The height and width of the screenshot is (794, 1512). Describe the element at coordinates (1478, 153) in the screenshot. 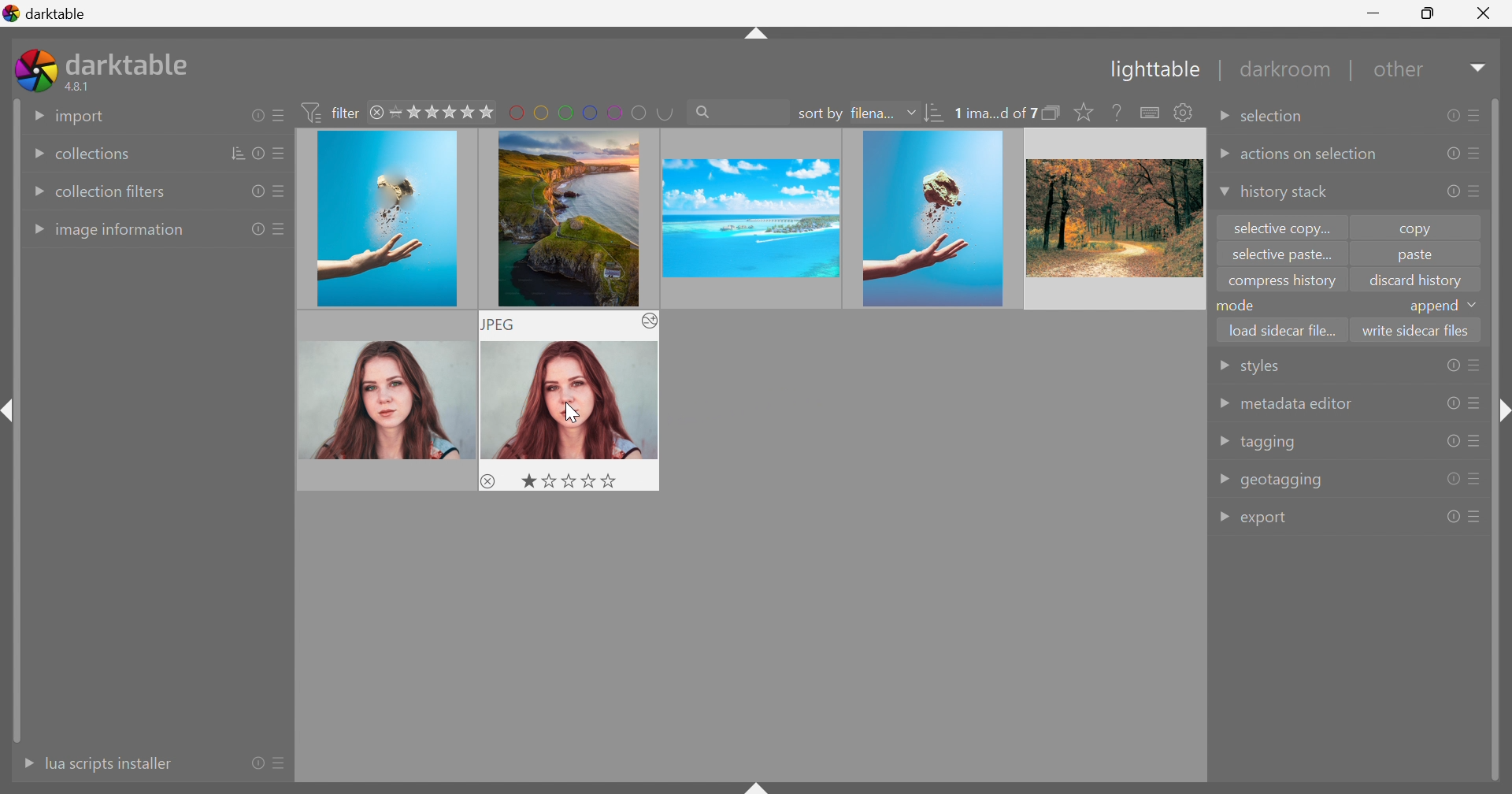

I see `presets` at that location.